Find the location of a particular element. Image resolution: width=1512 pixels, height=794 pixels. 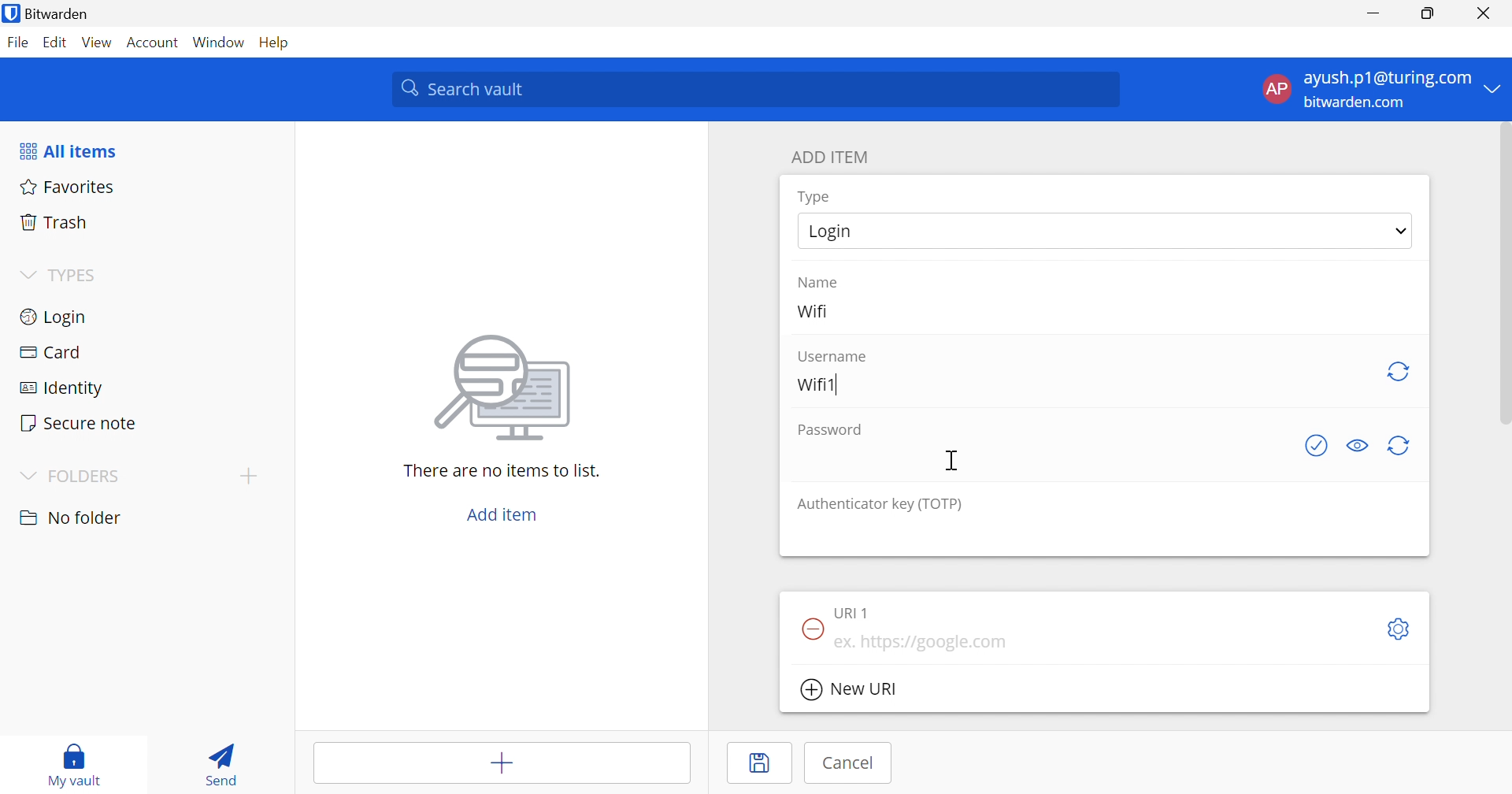

Toggle visibility is located at coordinates (1359, 446).